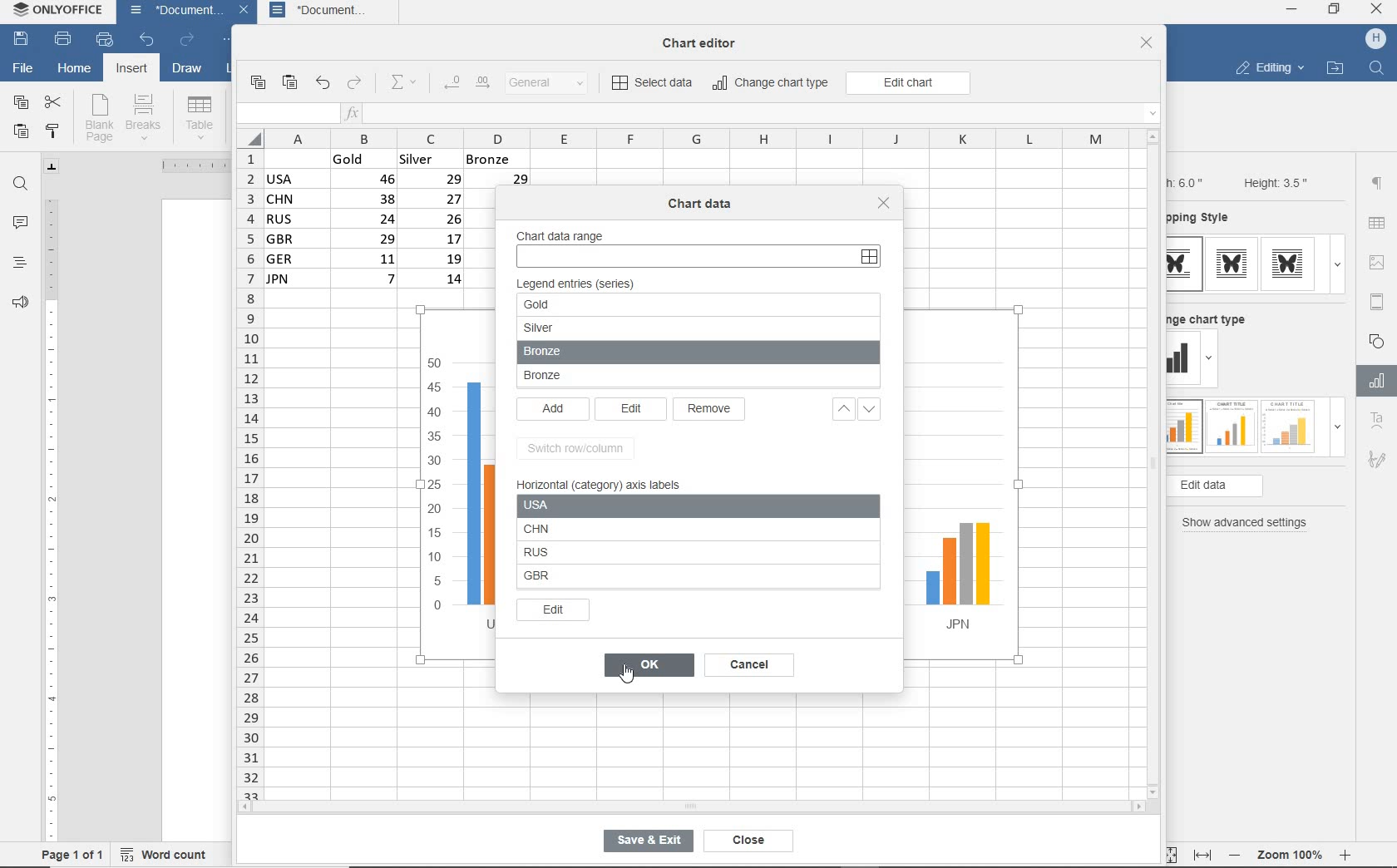 This screenshot has width=1397, height=868. I want to click on change type, so click(1183, 359).